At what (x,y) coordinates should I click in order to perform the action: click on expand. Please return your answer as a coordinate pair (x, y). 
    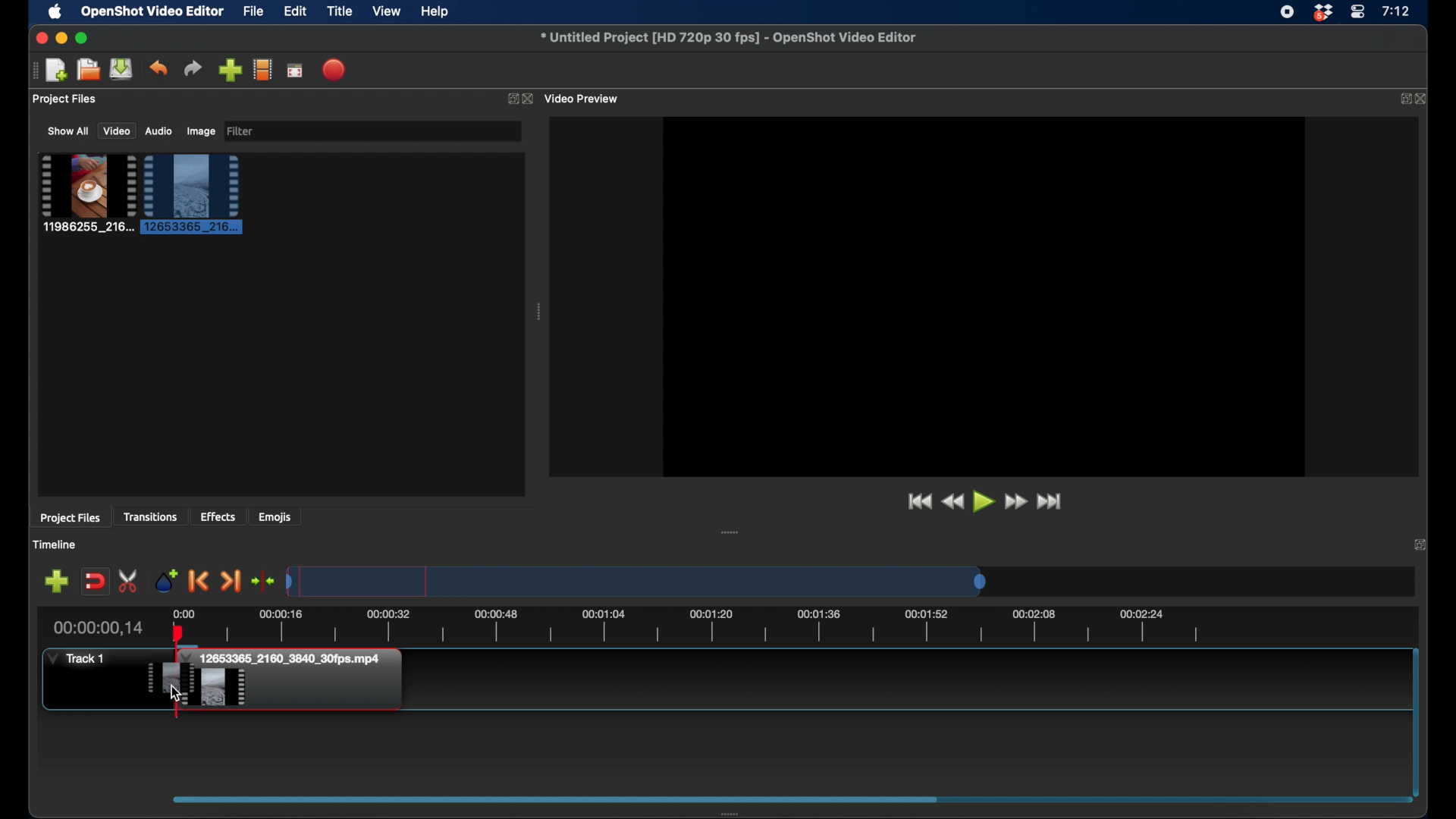
    Looking at the image, I should click on (510, 98).